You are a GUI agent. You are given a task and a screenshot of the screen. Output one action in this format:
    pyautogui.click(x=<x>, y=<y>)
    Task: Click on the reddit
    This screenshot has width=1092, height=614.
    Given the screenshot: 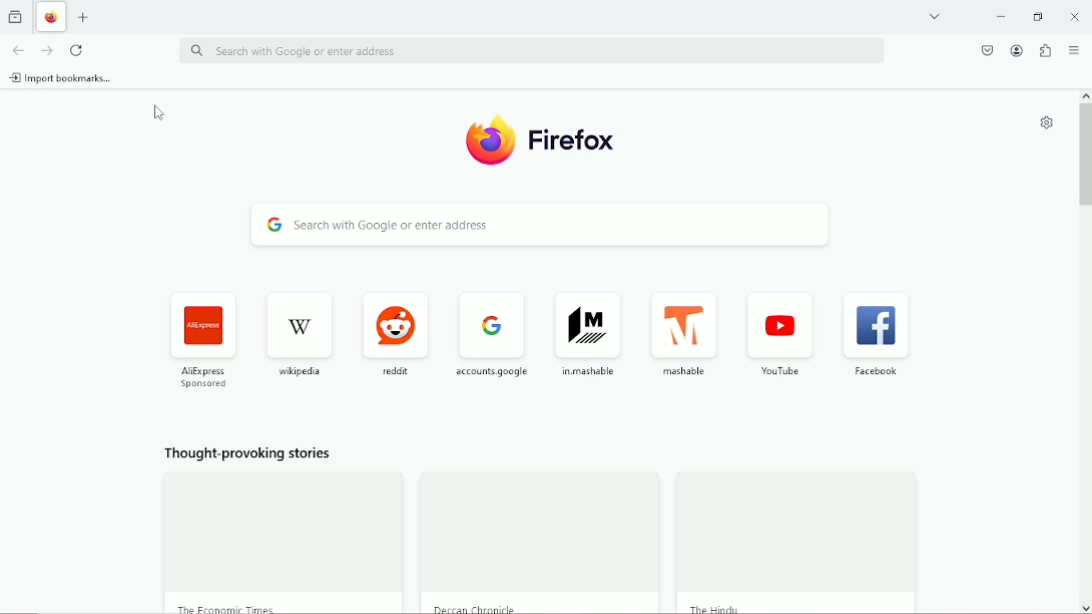 What is the action you would take?
    pyautogui.click(x=396, y=333)
    